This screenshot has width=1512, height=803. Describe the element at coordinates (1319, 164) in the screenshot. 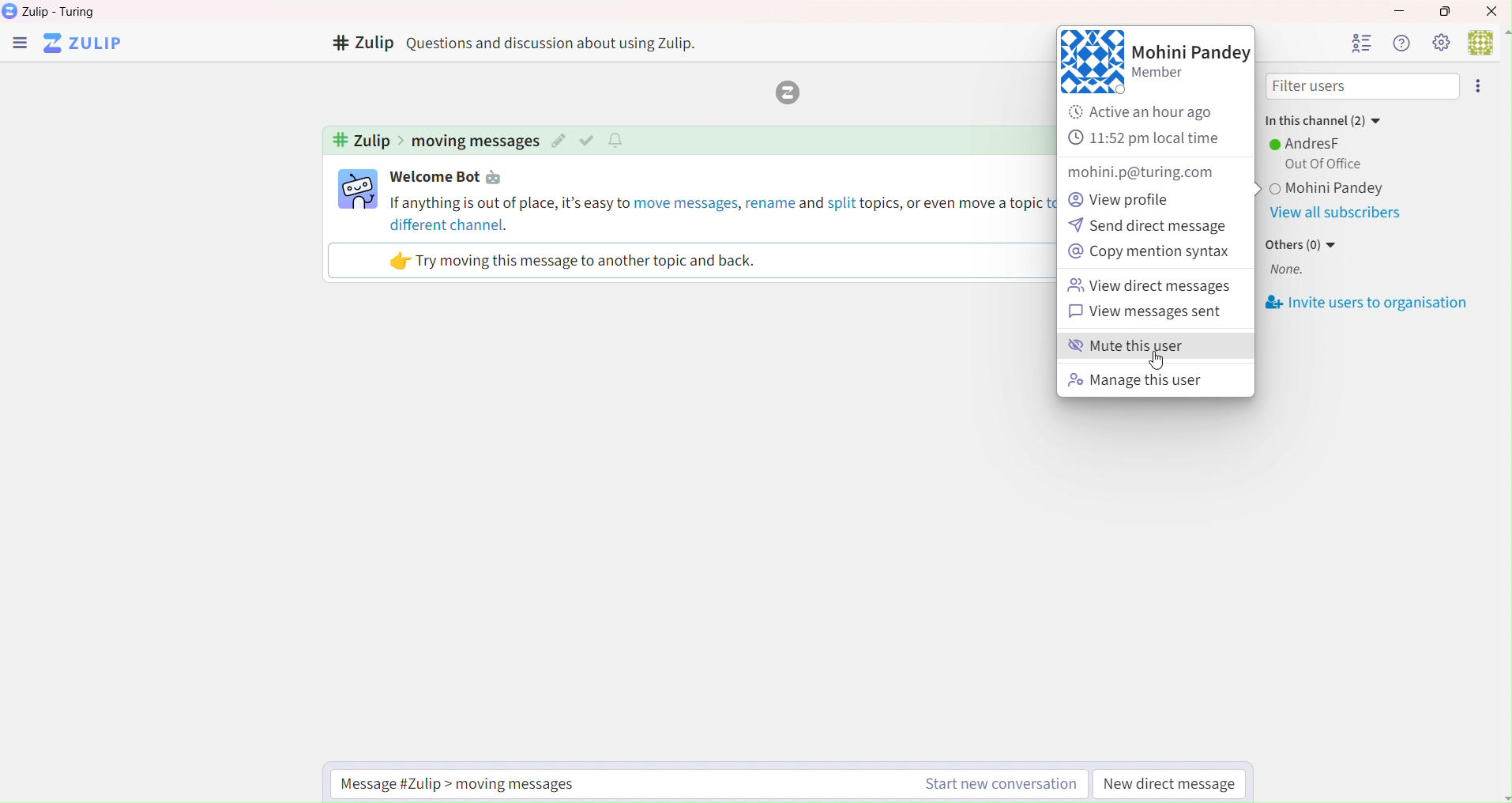

I see `Out Of Office` at that location.